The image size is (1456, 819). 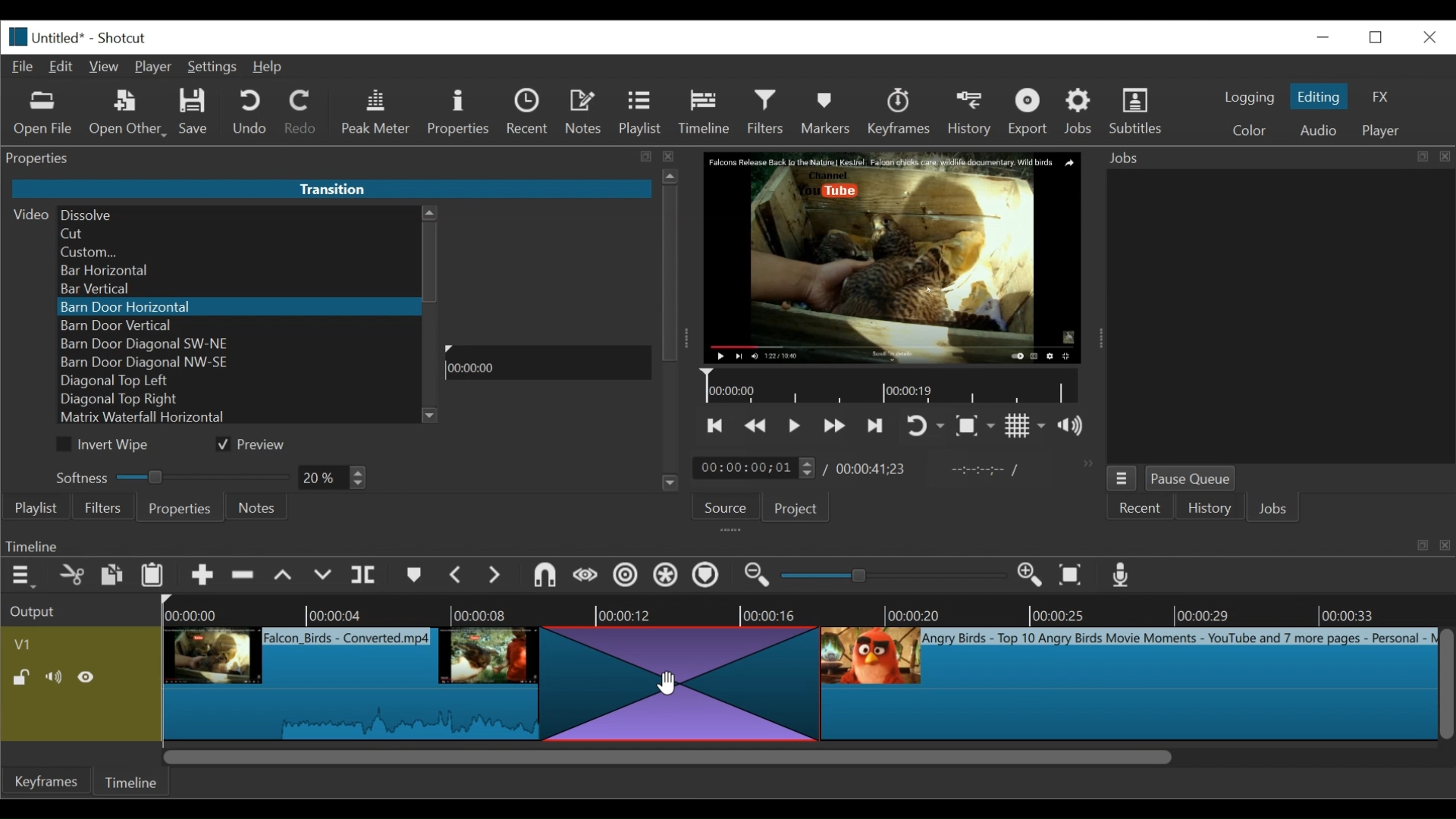 What do you see at coordinates (1119, 574) in the screenshot?
I see `Record audio` at bounding box center [1119, 574].